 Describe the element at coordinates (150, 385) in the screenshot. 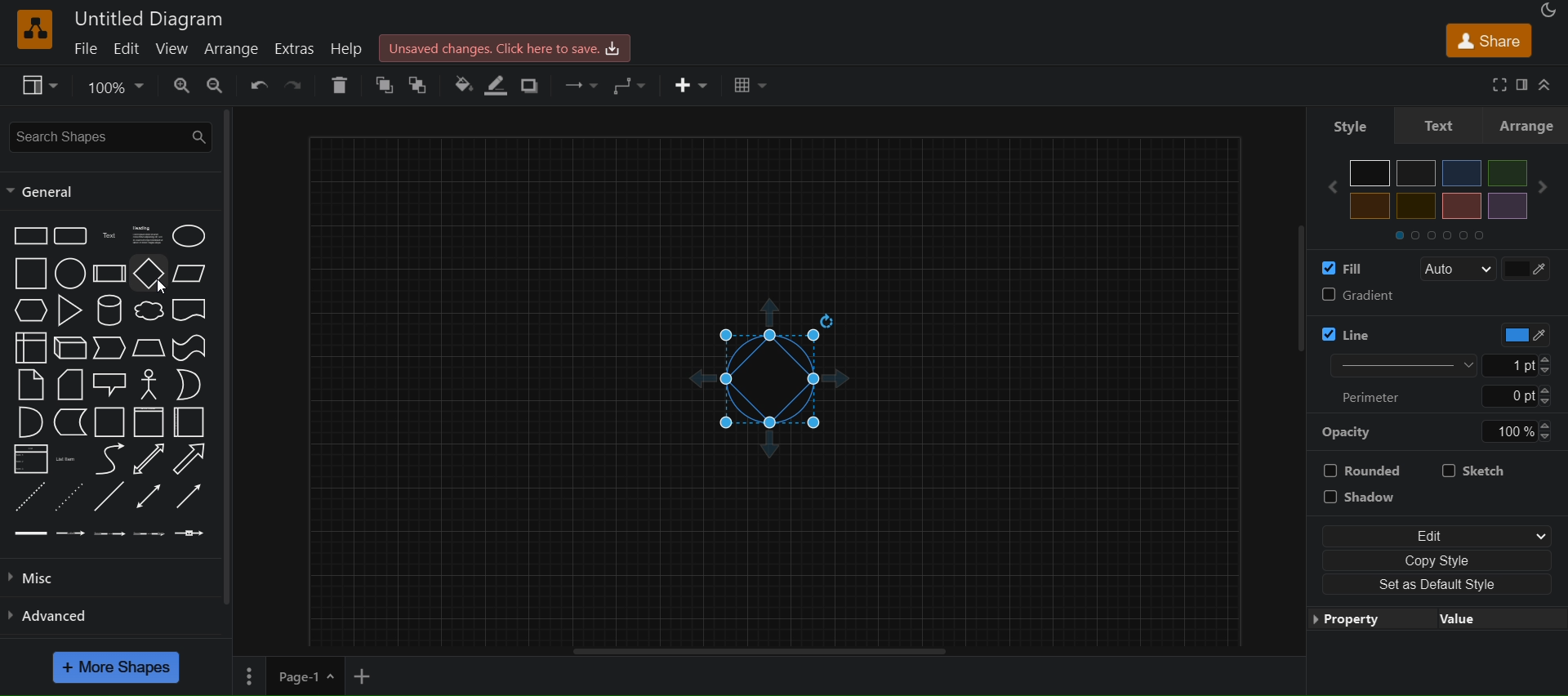

I see `actor` at that location.